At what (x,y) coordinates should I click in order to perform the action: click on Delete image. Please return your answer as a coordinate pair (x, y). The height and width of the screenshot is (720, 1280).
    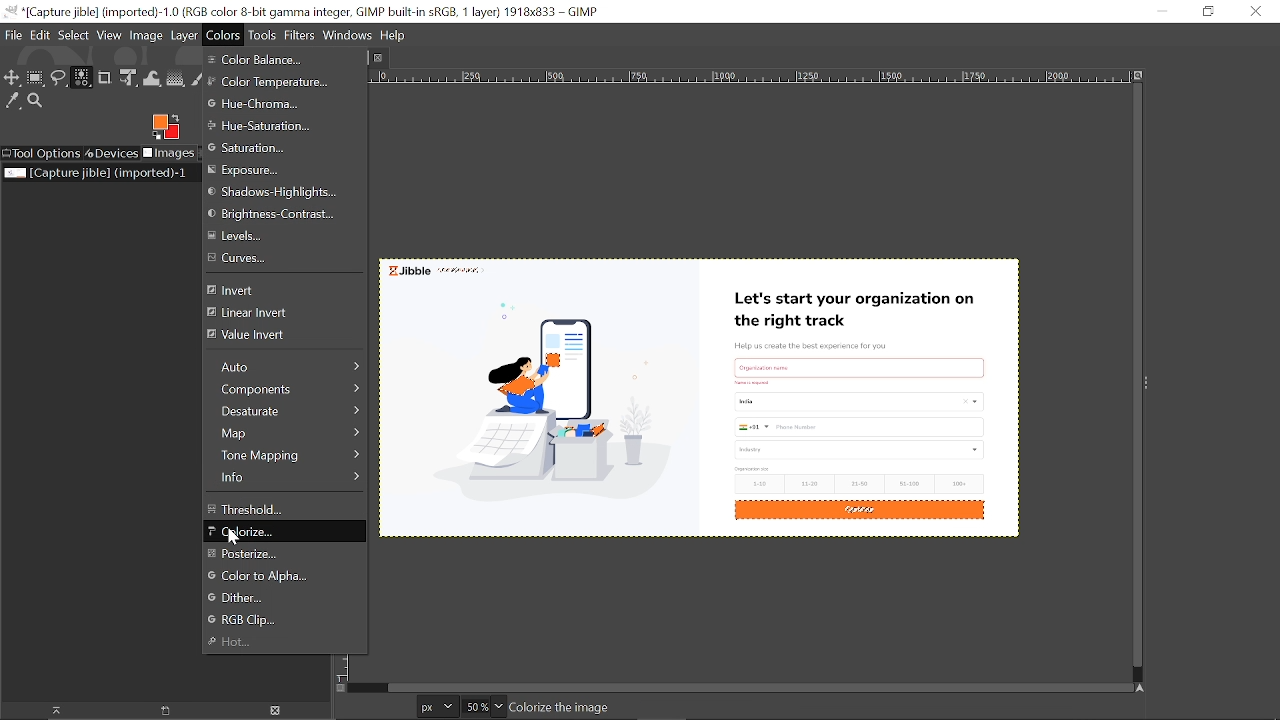
    Looking at the image, I should click on (277, 711).